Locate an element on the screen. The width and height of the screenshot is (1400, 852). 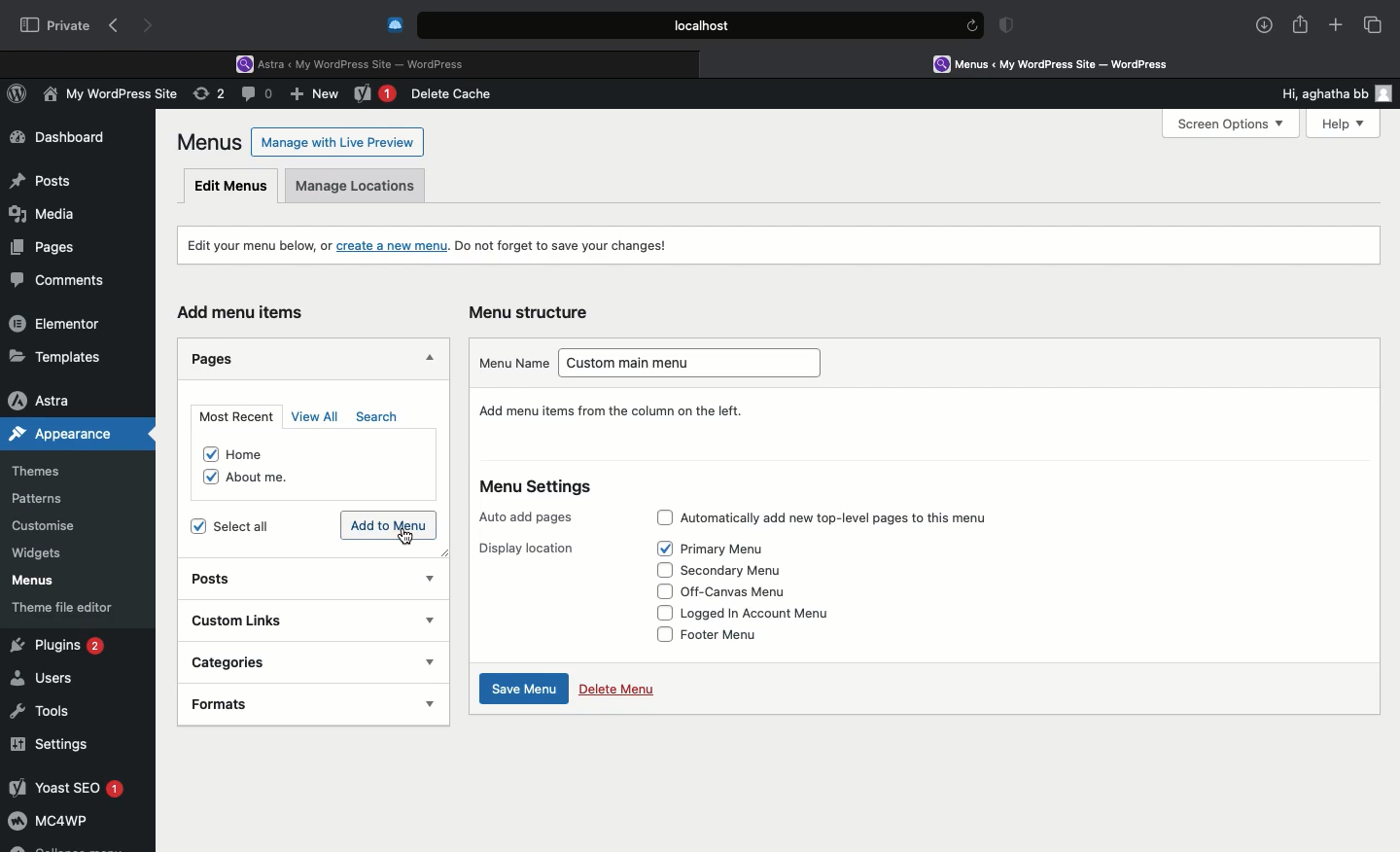
Astra < My WordPress Site - WordPress is located at coordinates (357, 62).